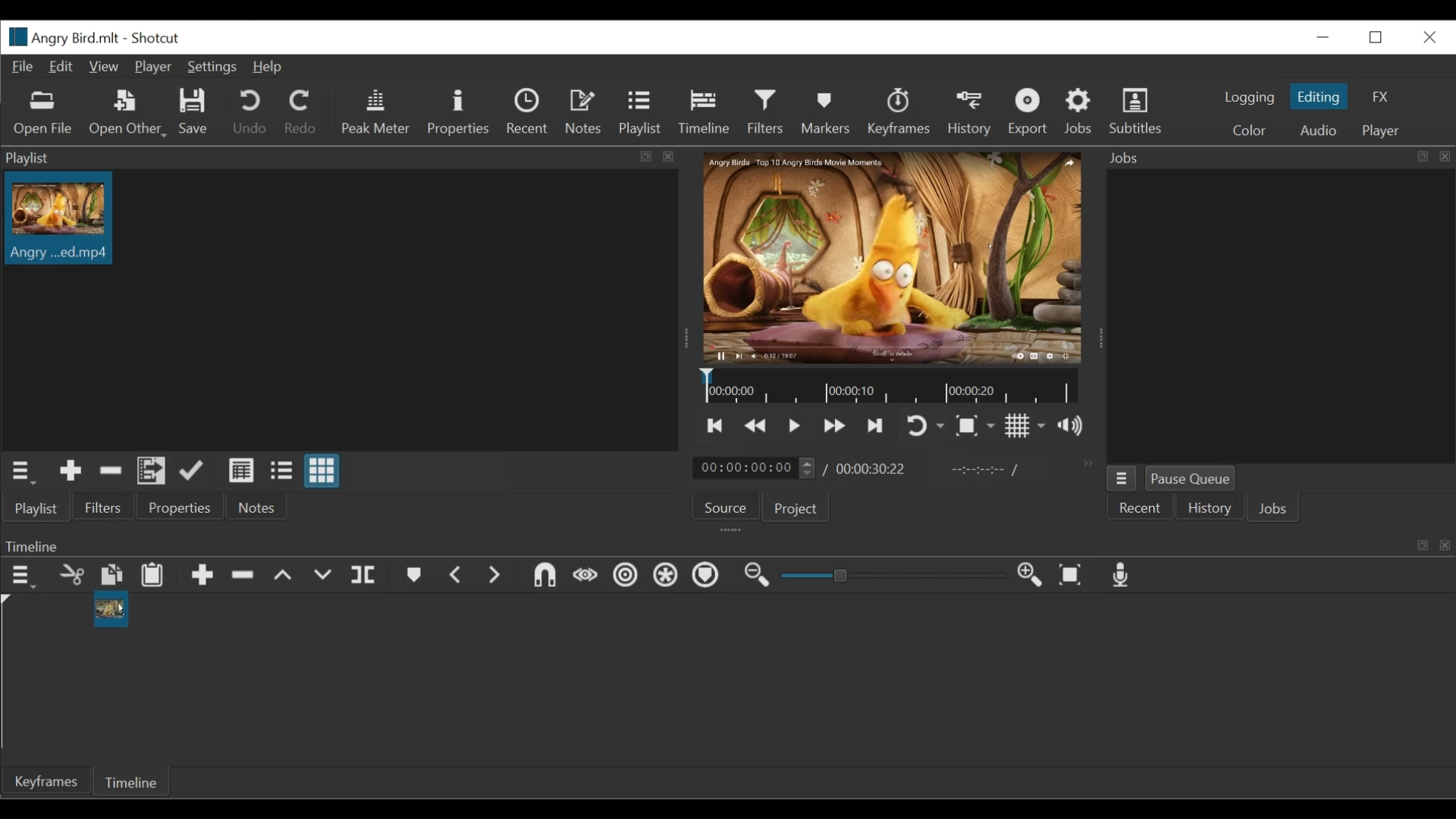 This screenshot has width=1456, height=819. What do you see at coordinates (1275, 158) in the screenshot?
I see `Jobs Panel` at bounding box center [1275, 158].